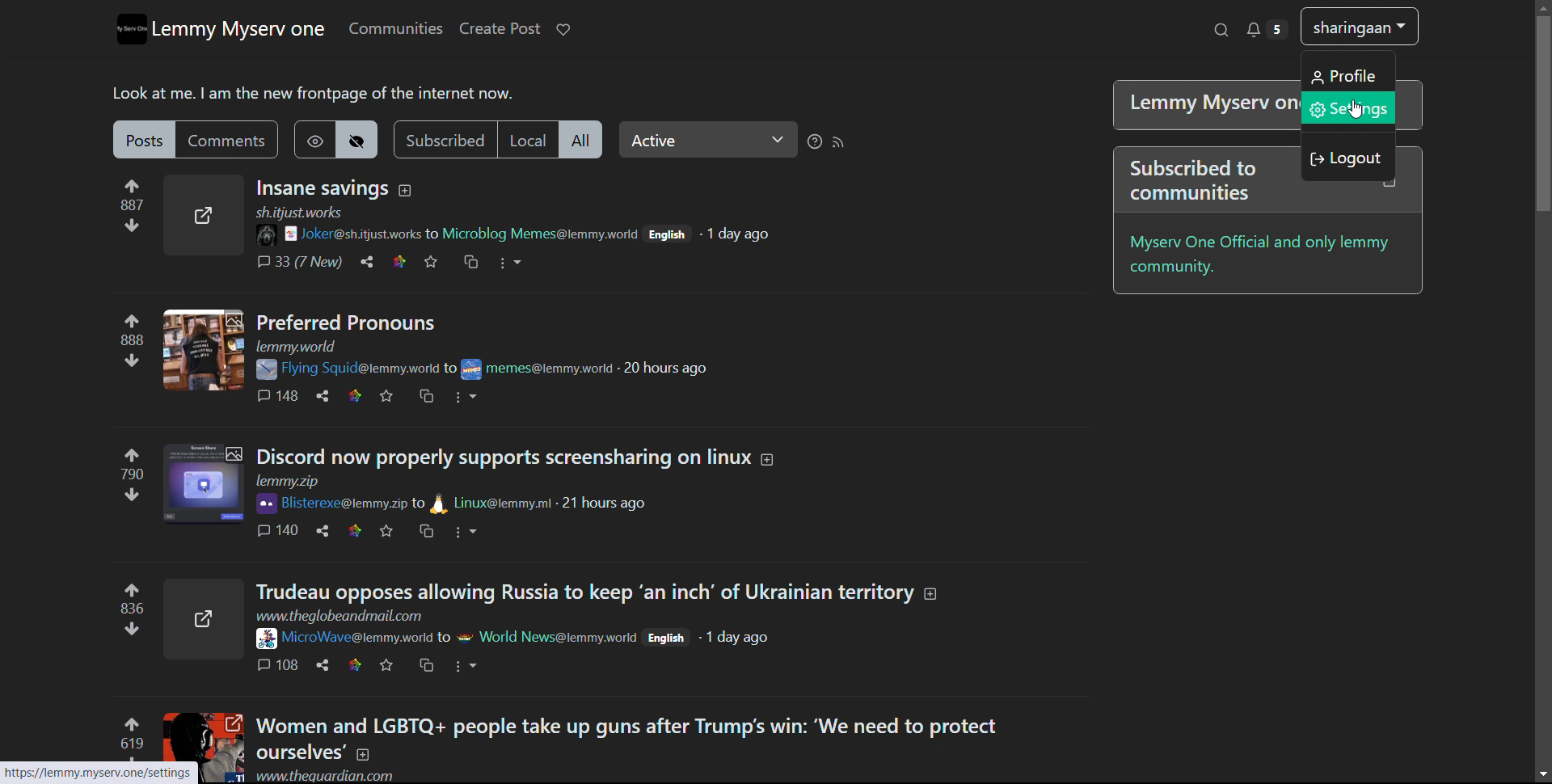  Describe the element at coordinates (1356, 107) in the screenshot. I see `Cursor` at that location.